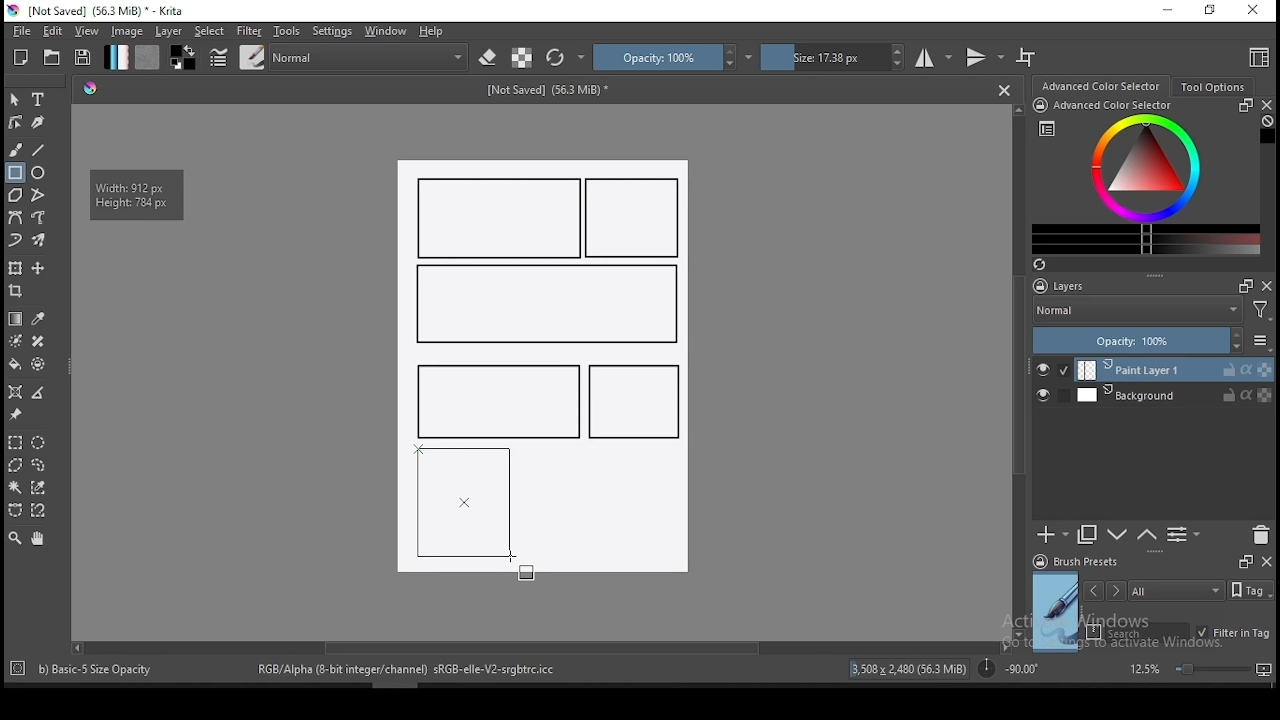  I want to click on scroll bar, so click(1020, 370).